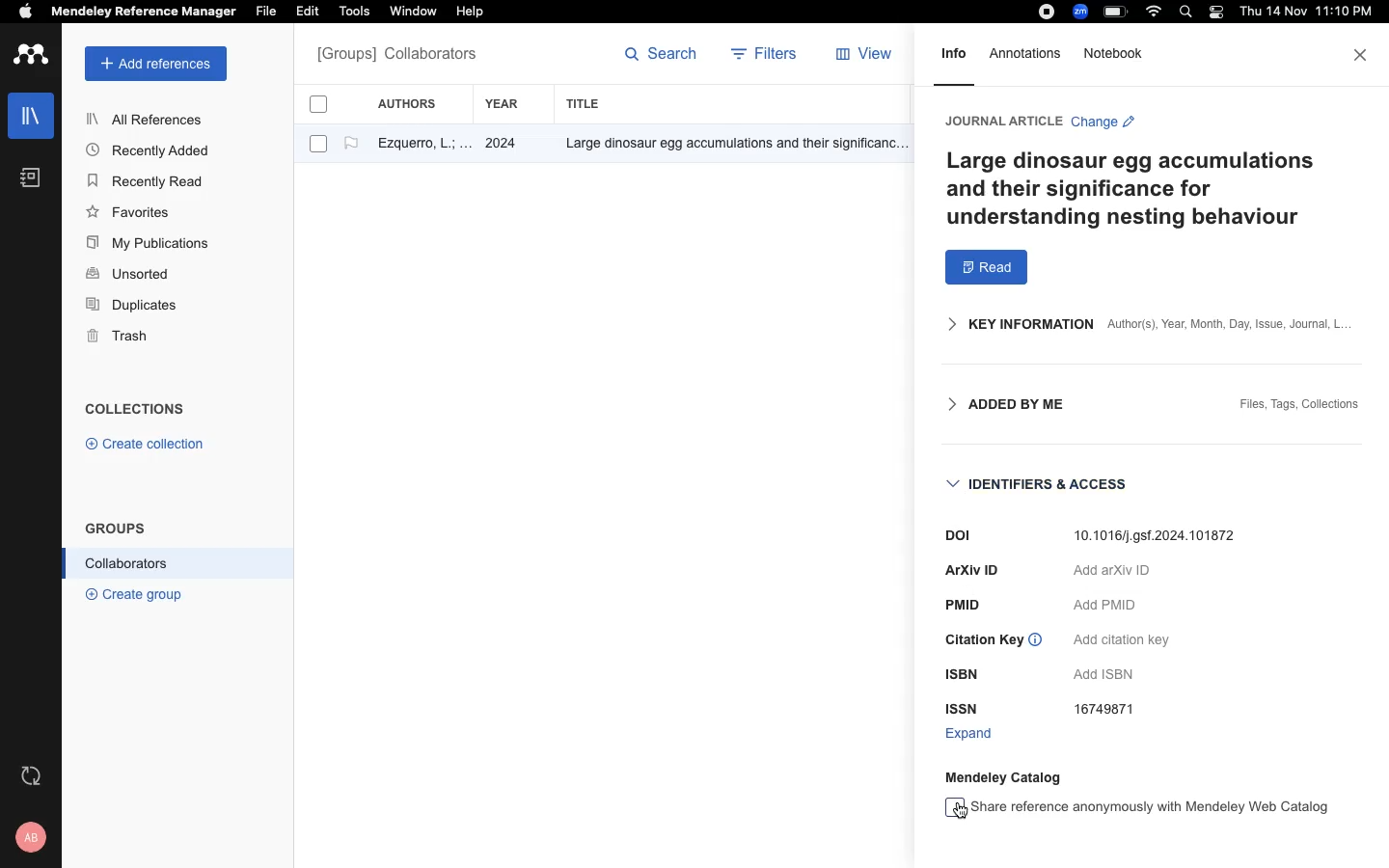 The width and height of the screenshot is (1389, 868). Describe the element at coordinates (1083, 12) in the screenshot. I see `zoom` at that location.